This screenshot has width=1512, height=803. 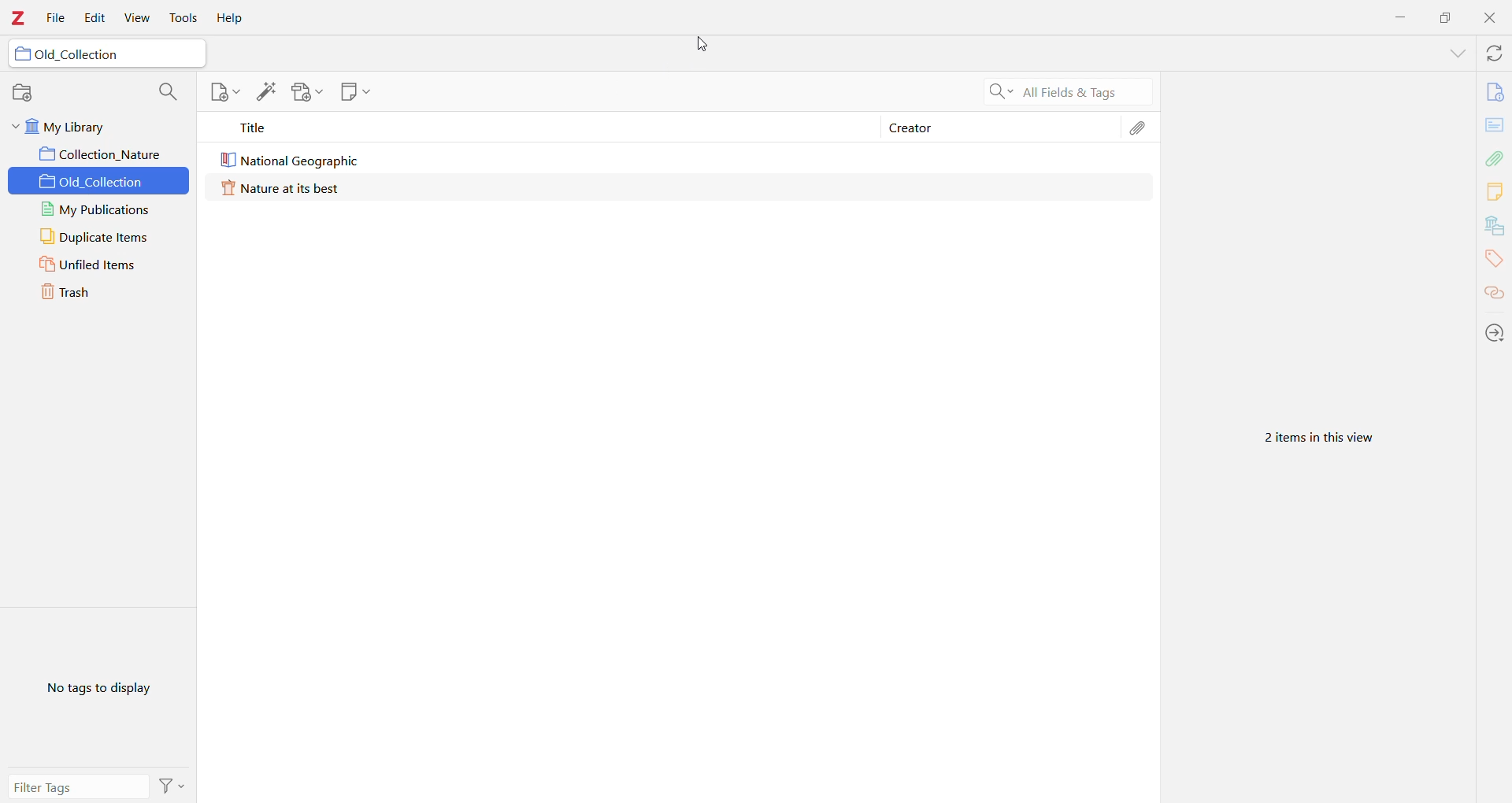 What do you see at coordinates (1495, 157) in the screenshot?
I see `Attachments` at bounding box center [1495, 157].